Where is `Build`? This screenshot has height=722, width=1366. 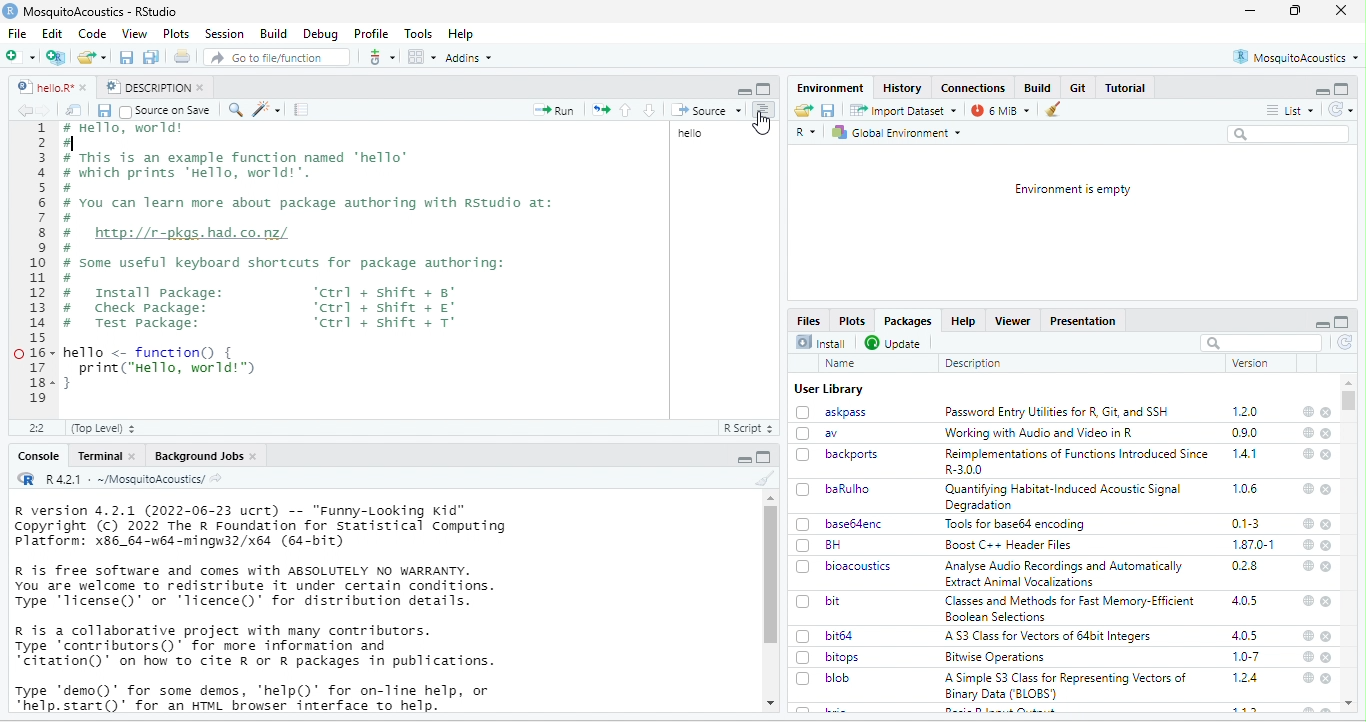
Build is located at coordinates (1039, 87).